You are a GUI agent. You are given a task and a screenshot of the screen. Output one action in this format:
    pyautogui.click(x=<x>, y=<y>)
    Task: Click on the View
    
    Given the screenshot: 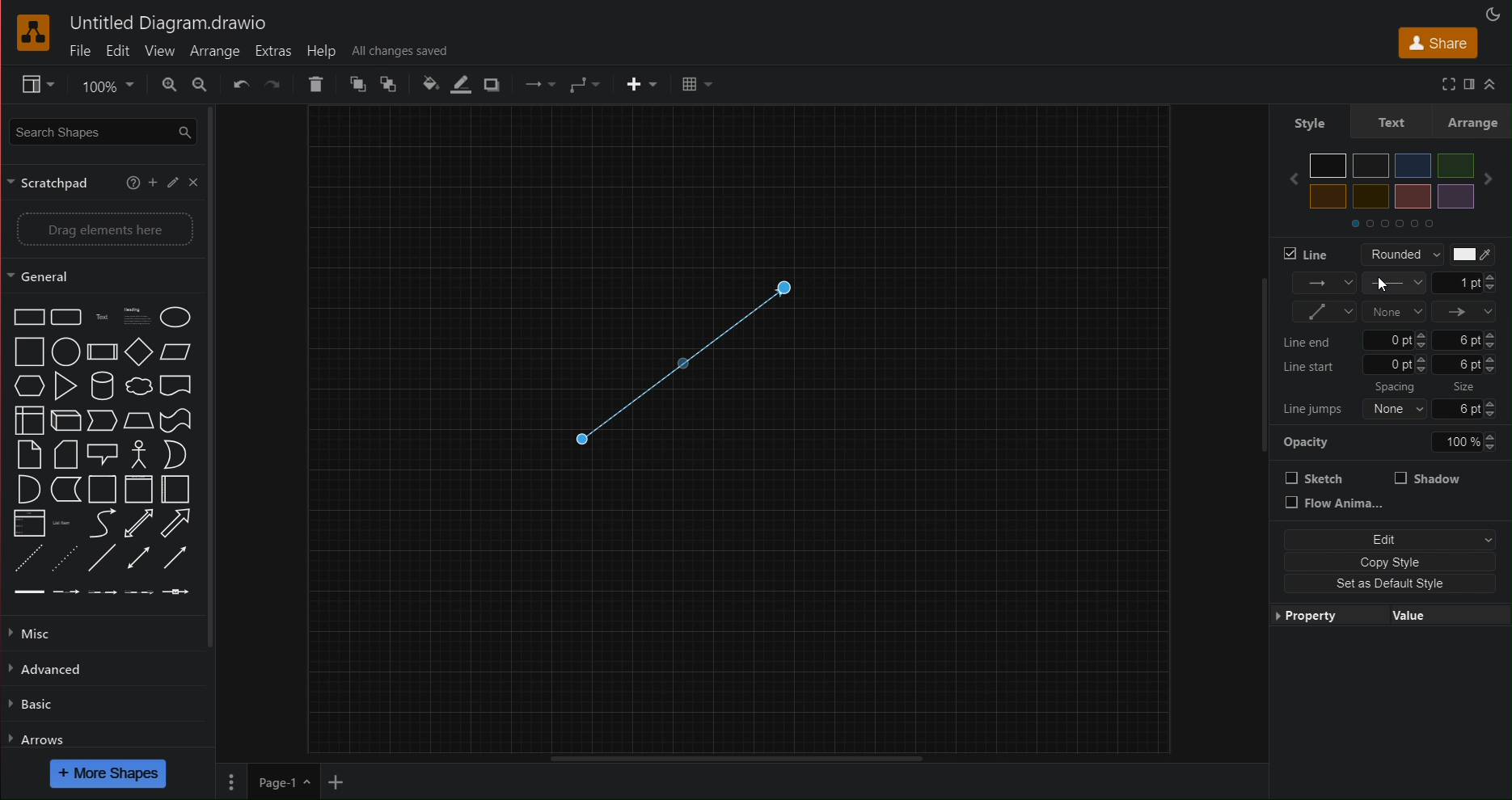 What is the action you would take?
    pyautogui.click(x=29, y=85)
    